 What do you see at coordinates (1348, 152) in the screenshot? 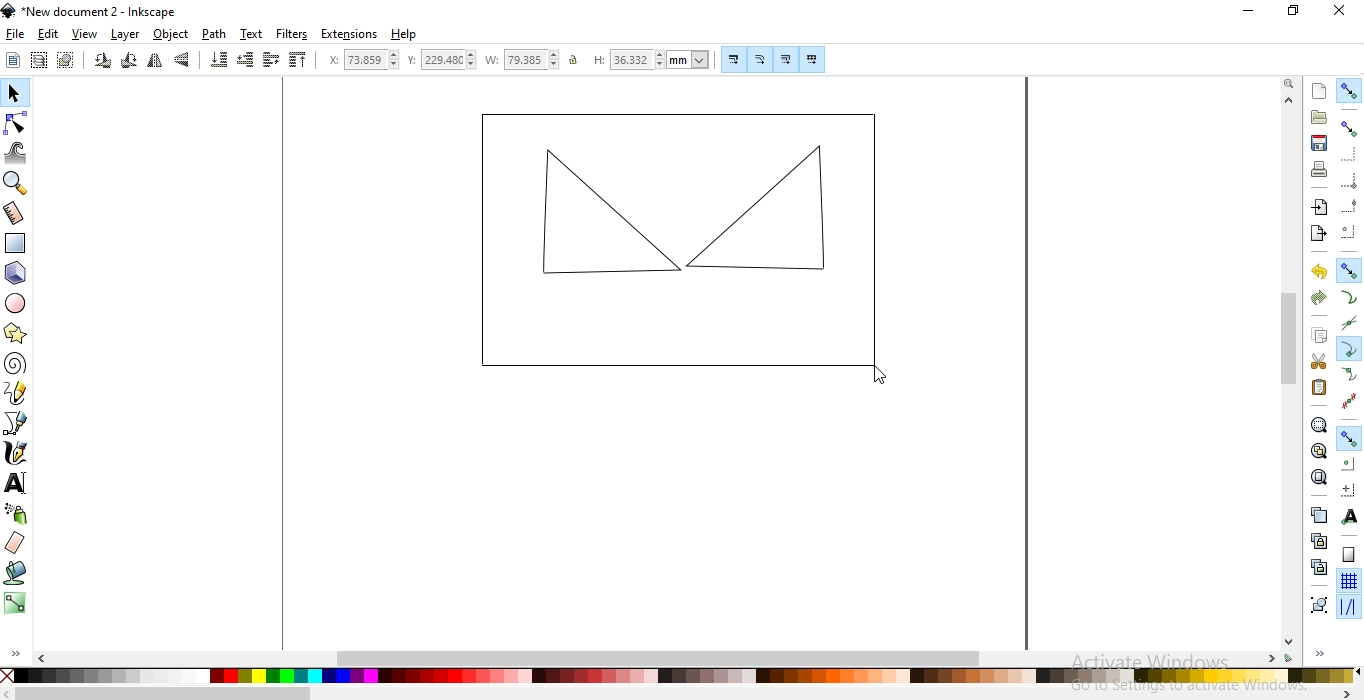
I see `snap to edges of bounding box` at bounding box center [1348, 152].